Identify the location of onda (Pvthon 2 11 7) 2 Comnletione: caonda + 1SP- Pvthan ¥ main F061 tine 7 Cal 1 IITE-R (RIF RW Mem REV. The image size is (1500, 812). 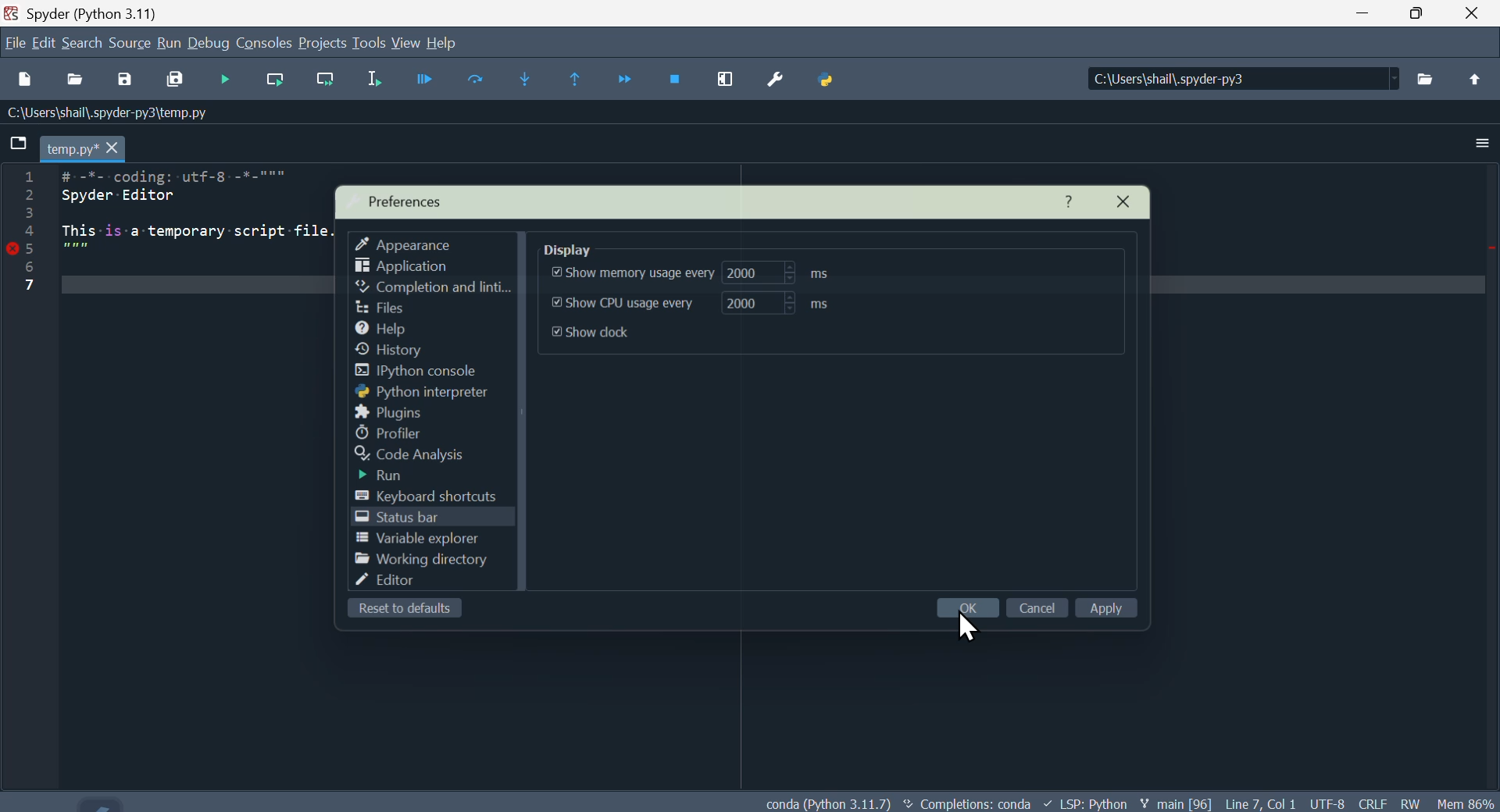
(1133, 800).